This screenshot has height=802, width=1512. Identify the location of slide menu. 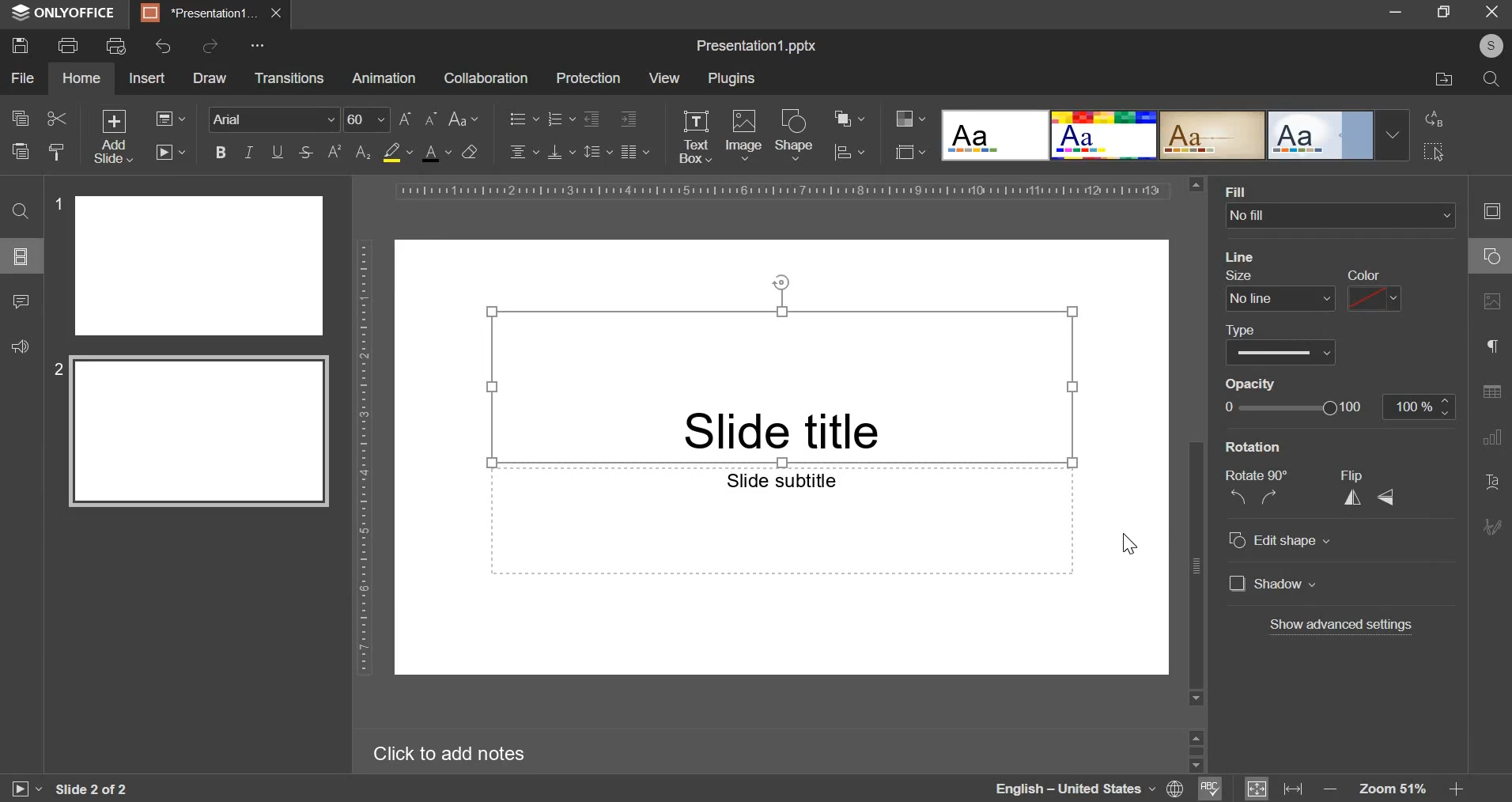
(19, 255).